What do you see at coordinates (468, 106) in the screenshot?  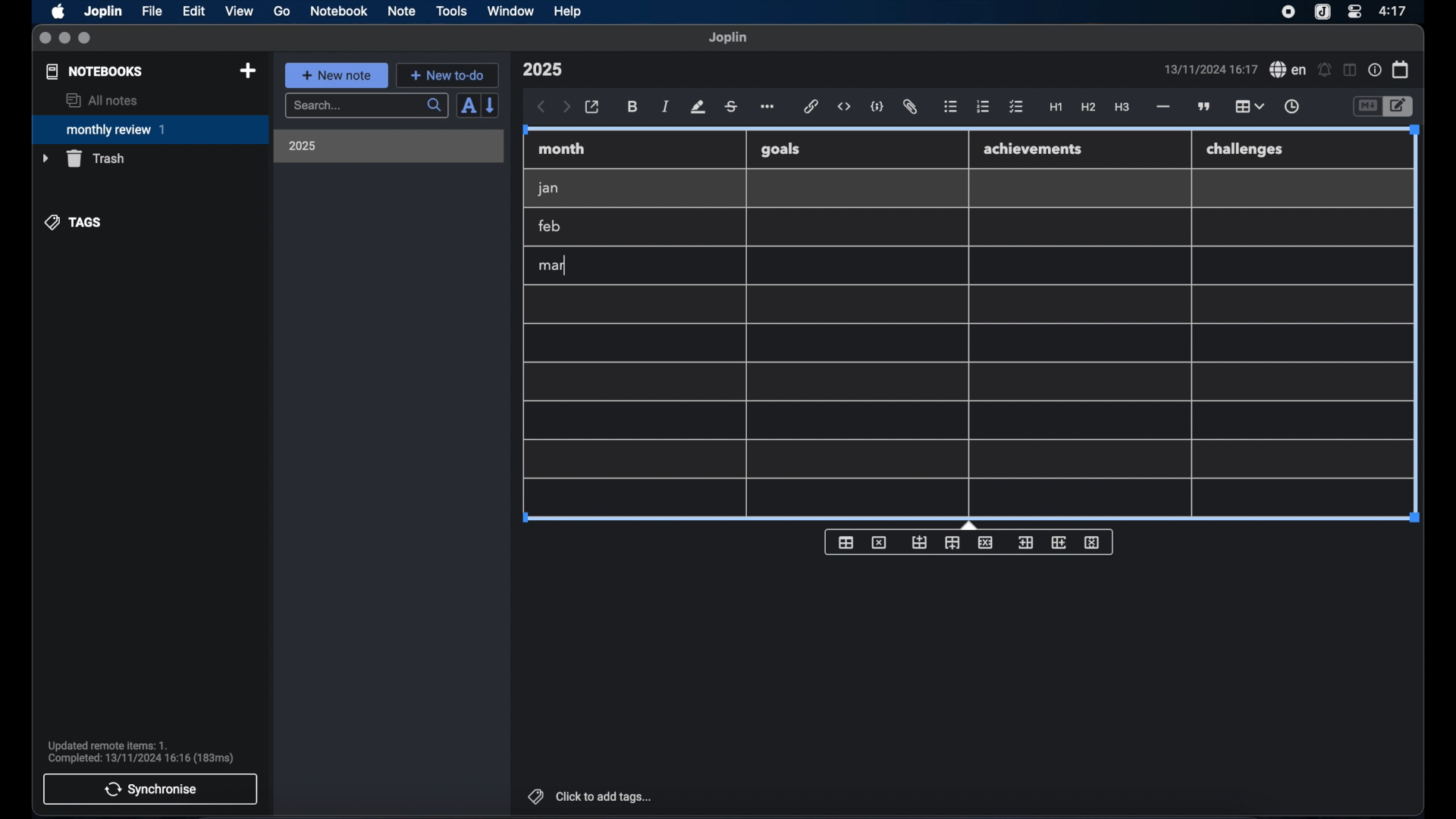 I see `sort order field` at bounding box center [468, 106].